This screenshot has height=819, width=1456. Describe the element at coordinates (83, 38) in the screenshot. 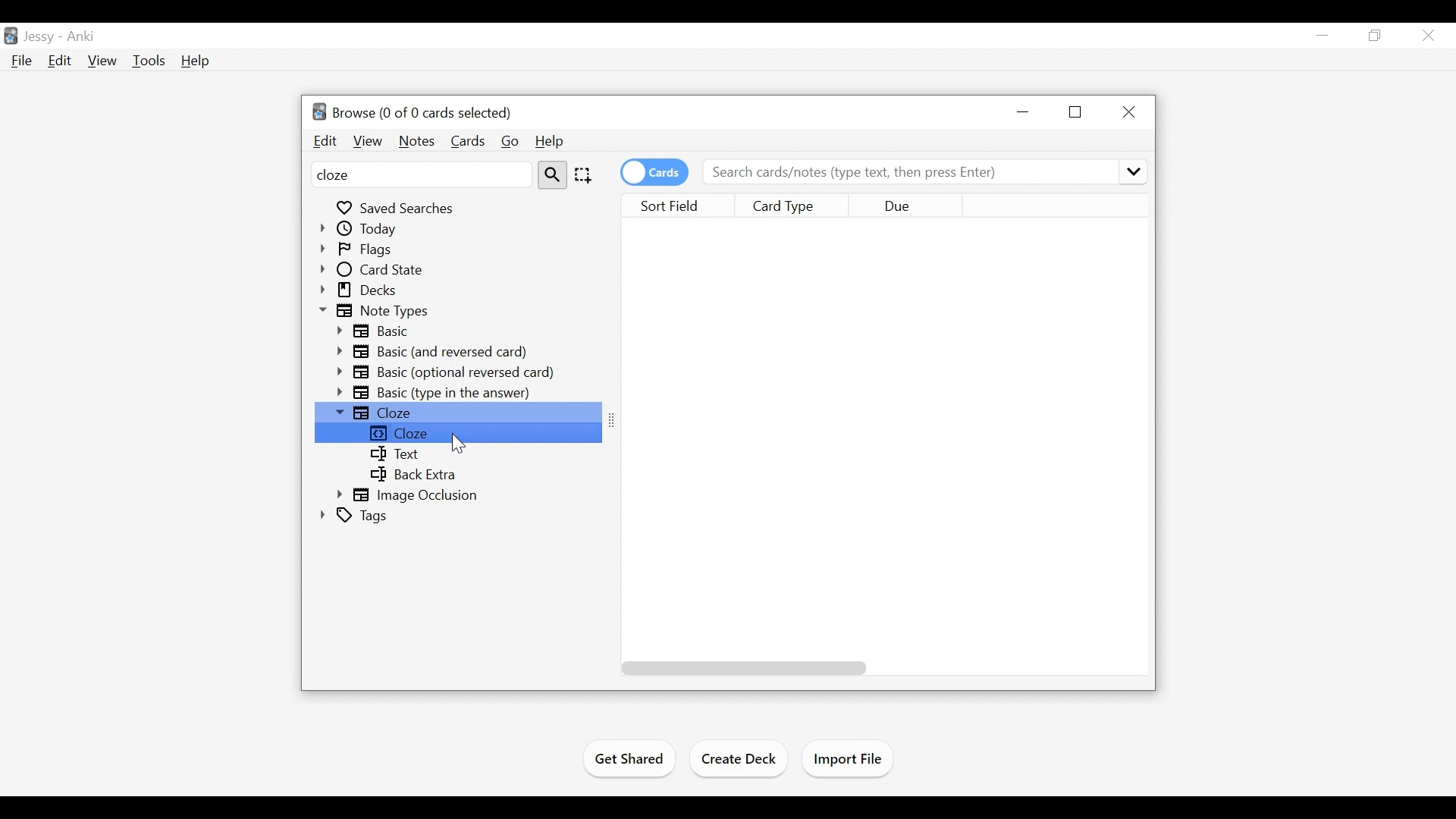

I see `Anki` at that location.